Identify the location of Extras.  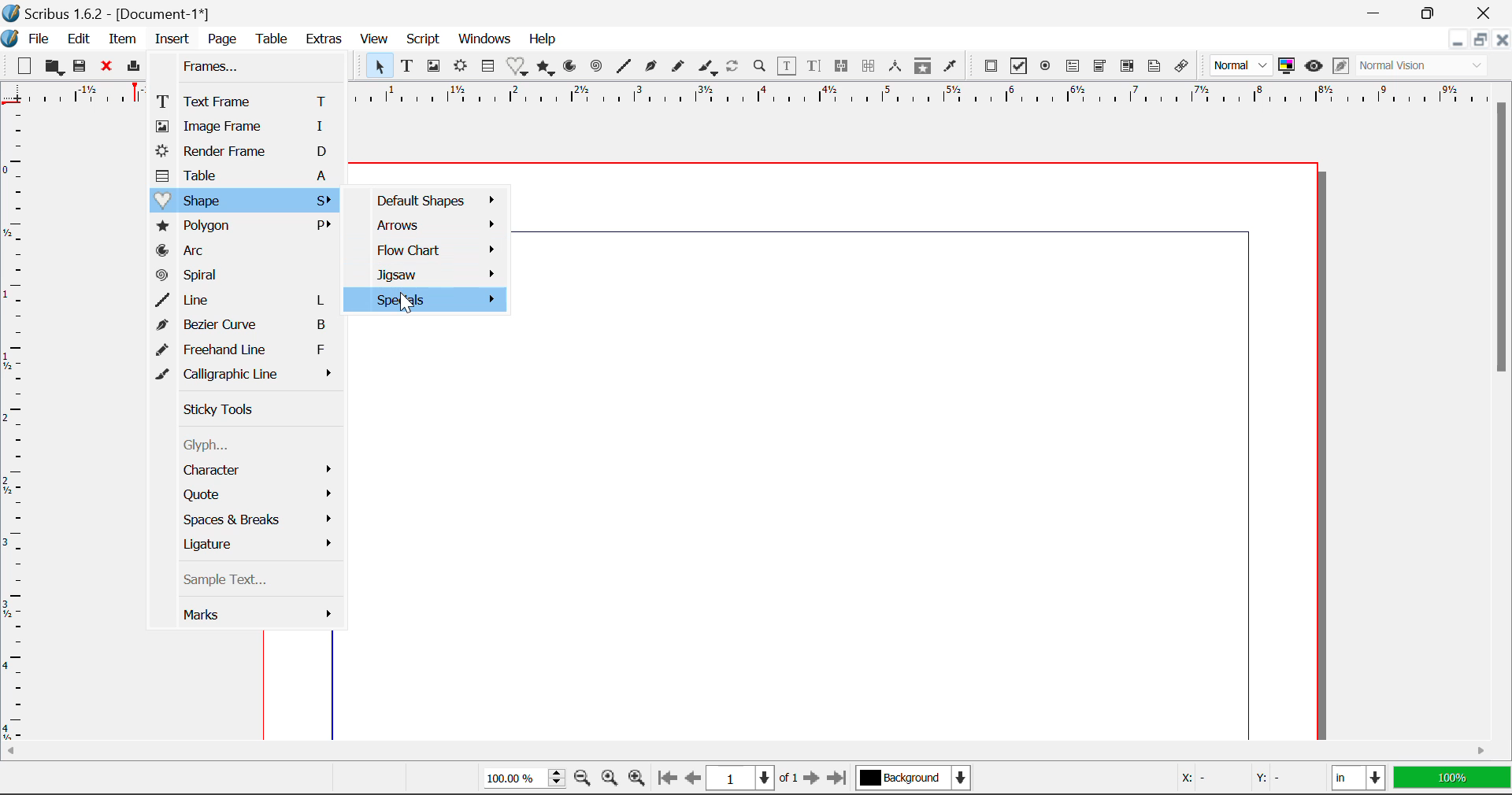
(327, 40).